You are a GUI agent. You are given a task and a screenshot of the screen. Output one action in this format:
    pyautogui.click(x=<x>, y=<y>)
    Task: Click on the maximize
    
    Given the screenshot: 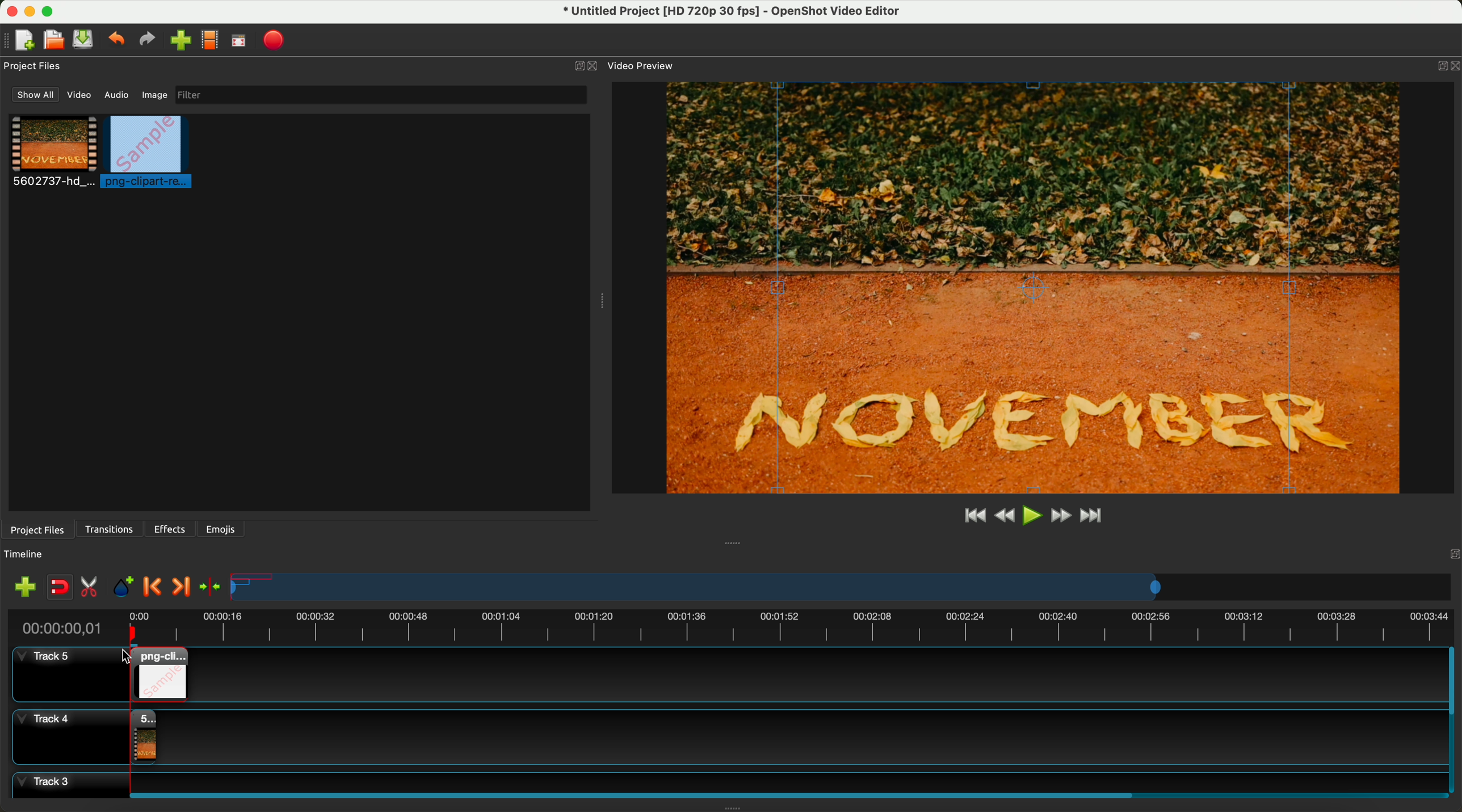 What is the action you would take?
    pyautogui.click(x=52, y=10)
    